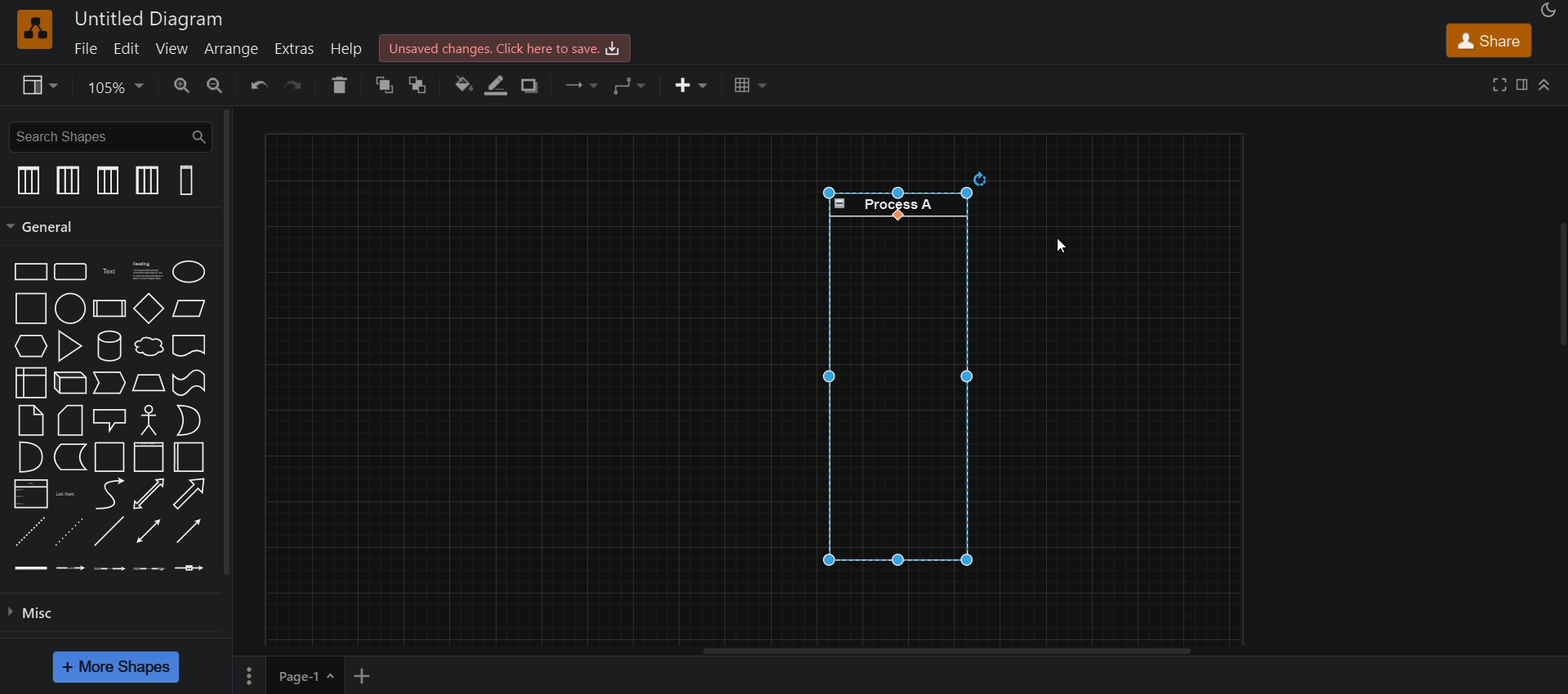 The image size is (1568, 694). What do you see at coordinates (229, 47) in the screenshot?
I see `arrange` at bounding box center [229, 47].